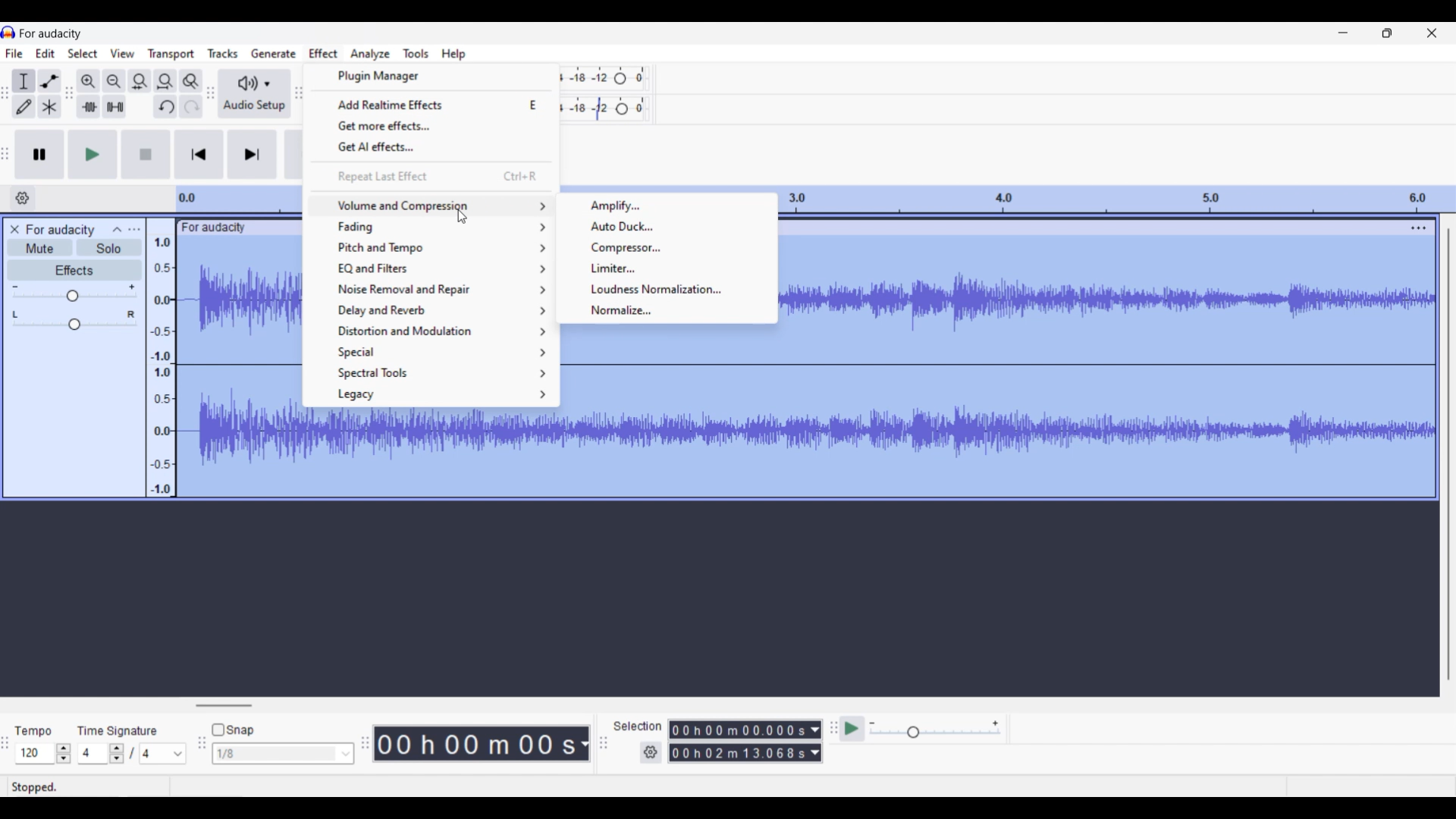 This screenshot has width=1456, height=819. Describe the element at coordinates (40, 155) in the screenshot. I see `Pause` at that location.